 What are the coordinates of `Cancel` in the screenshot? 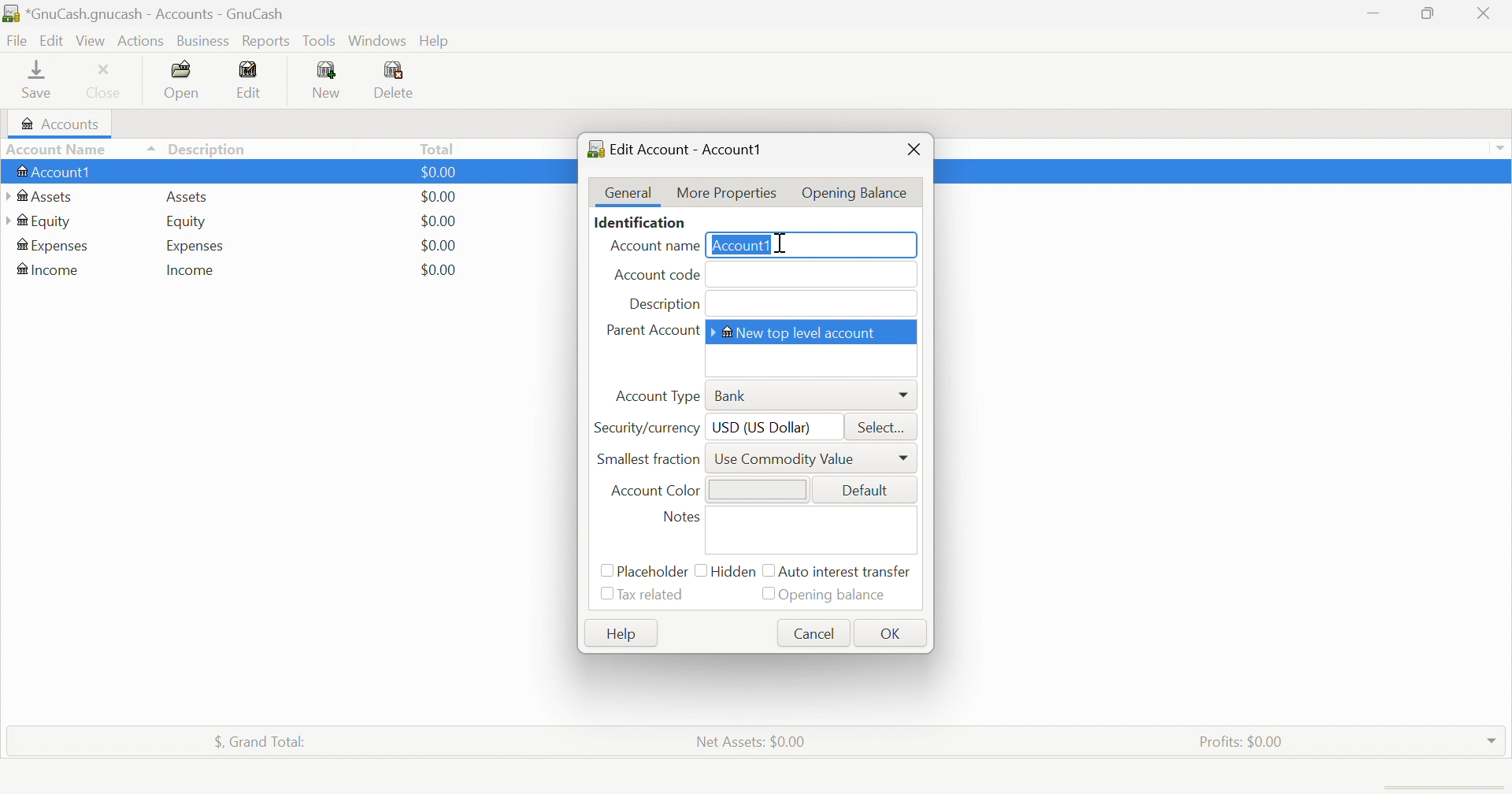 It's located at (816, 633).